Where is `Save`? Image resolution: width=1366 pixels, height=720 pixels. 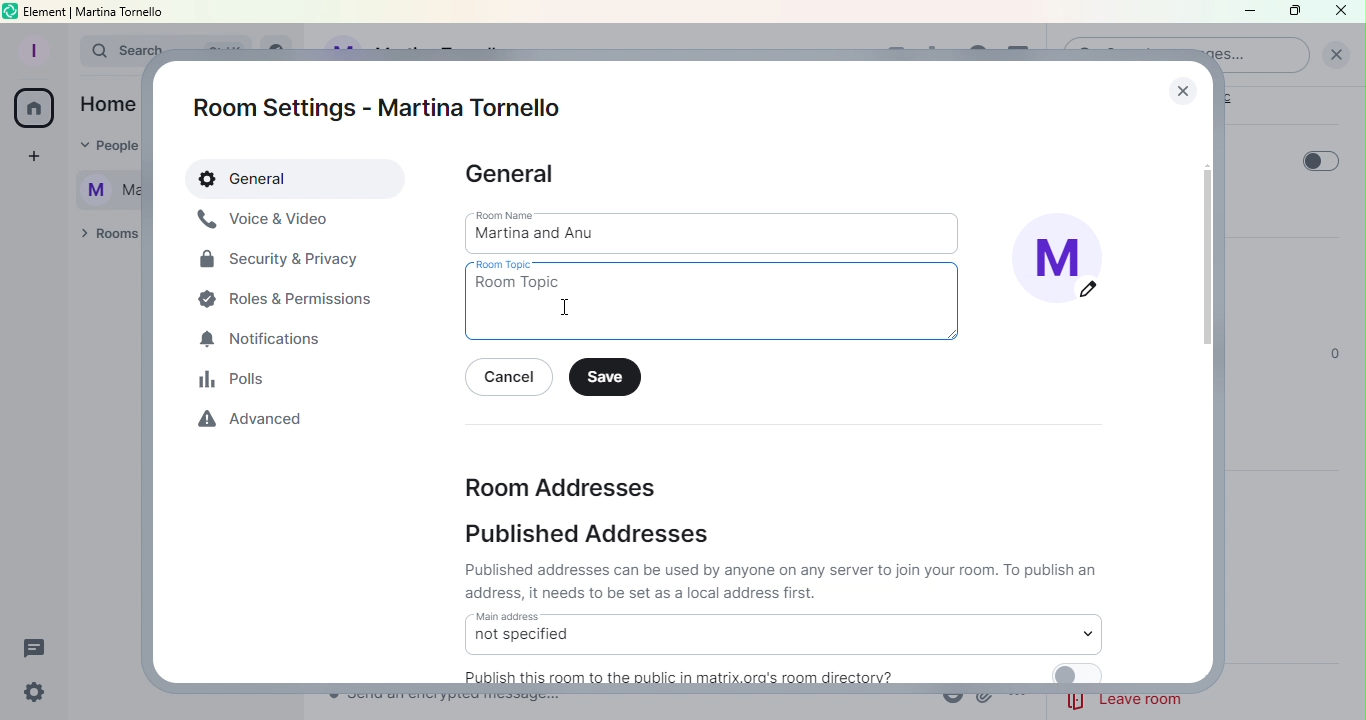 Save is located at coordinates (610, 378).